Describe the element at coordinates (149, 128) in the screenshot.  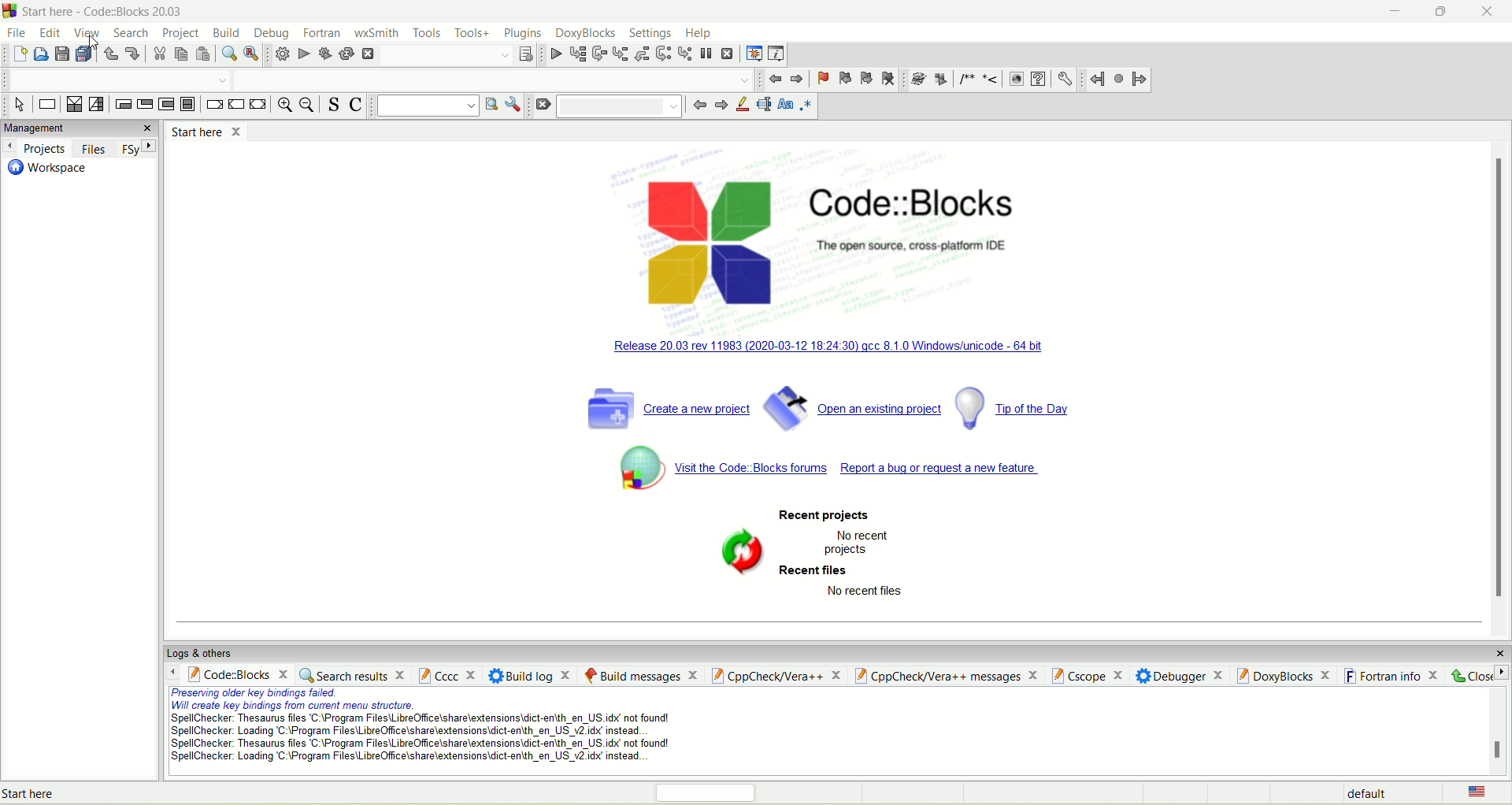
I see `close` at that location.